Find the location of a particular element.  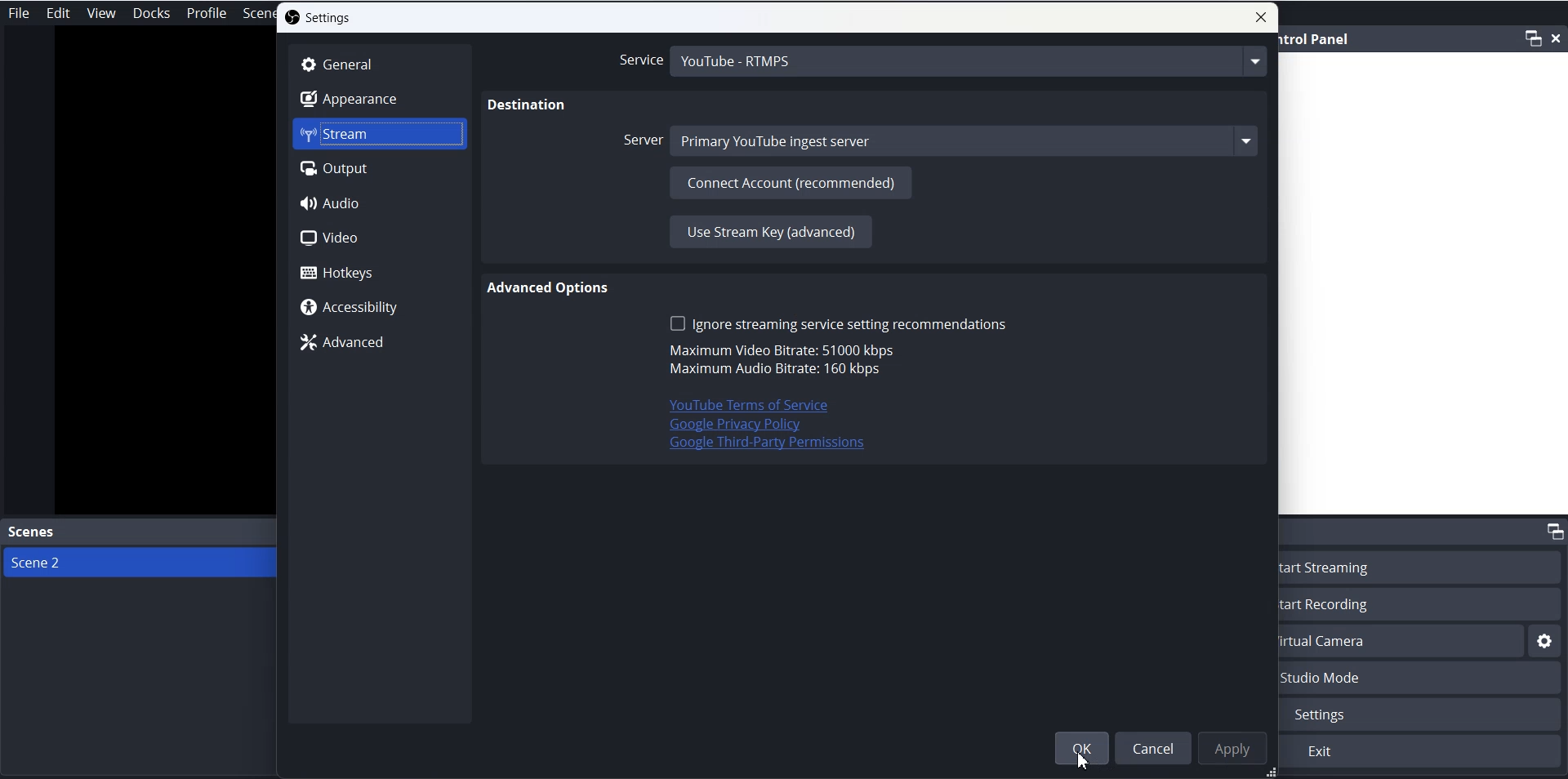

Ignore streaming service setting recommendation is located at coordinates (838, 323).